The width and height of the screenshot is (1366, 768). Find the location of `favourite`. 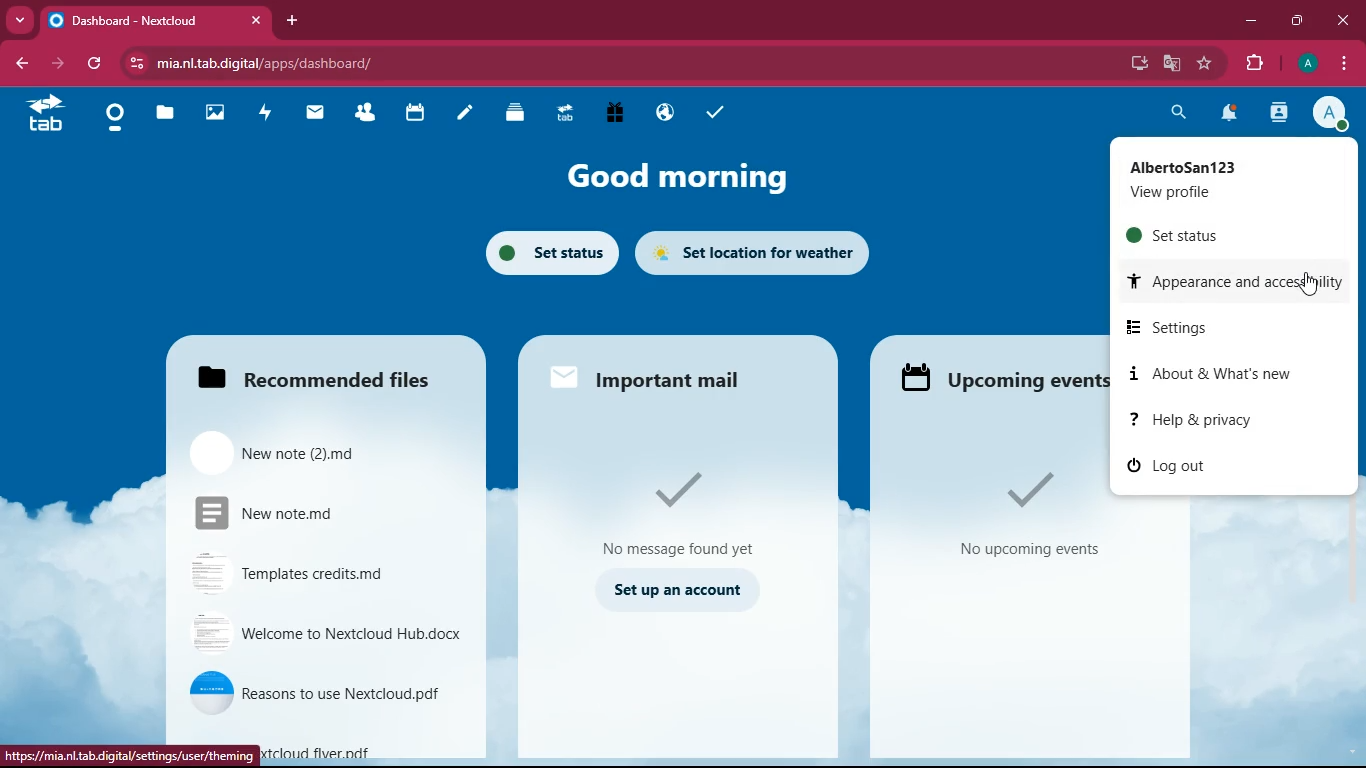

favourite is located at coordinates (1202, 64).